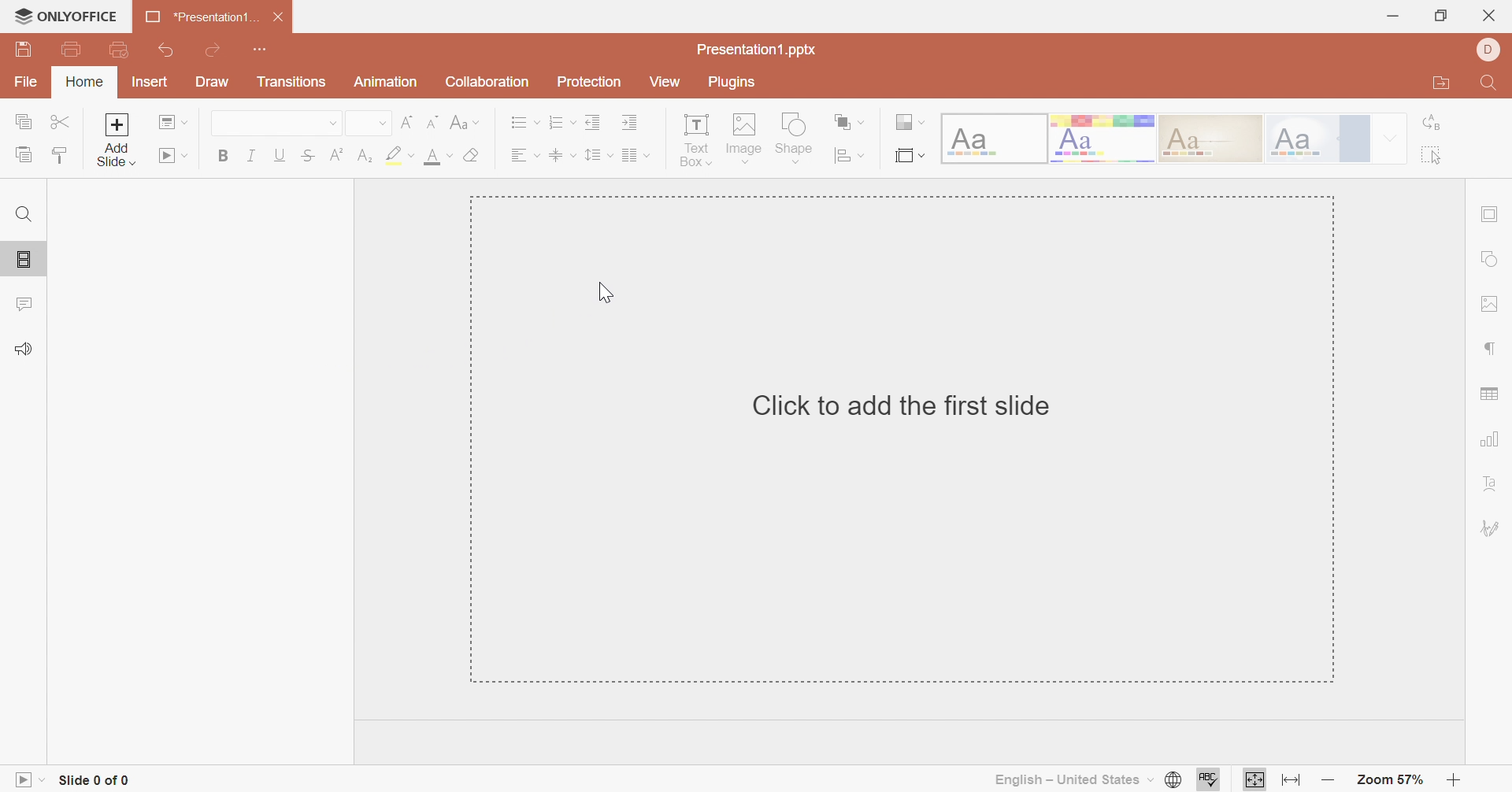  I want to click on Change color theme, so click(902, 121).